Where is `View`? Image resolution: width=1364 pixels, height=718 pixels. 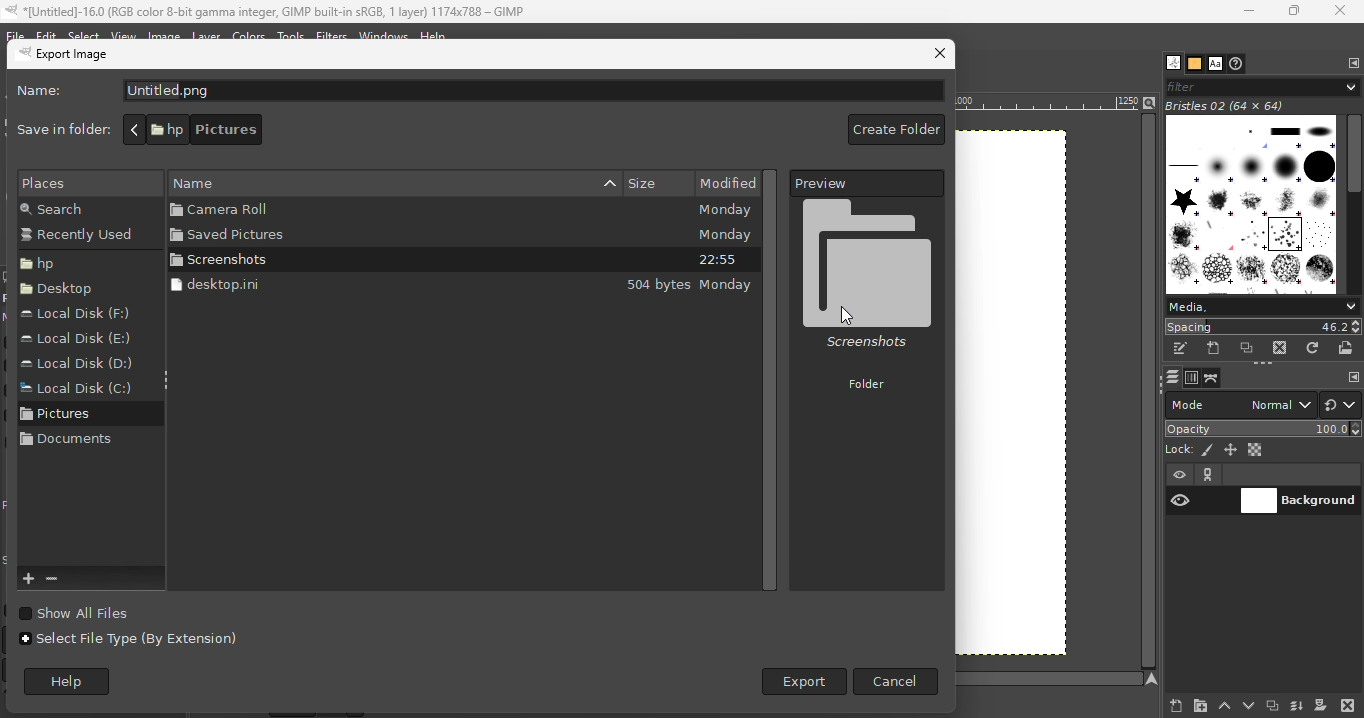 View is located at coordinates (124, 34).